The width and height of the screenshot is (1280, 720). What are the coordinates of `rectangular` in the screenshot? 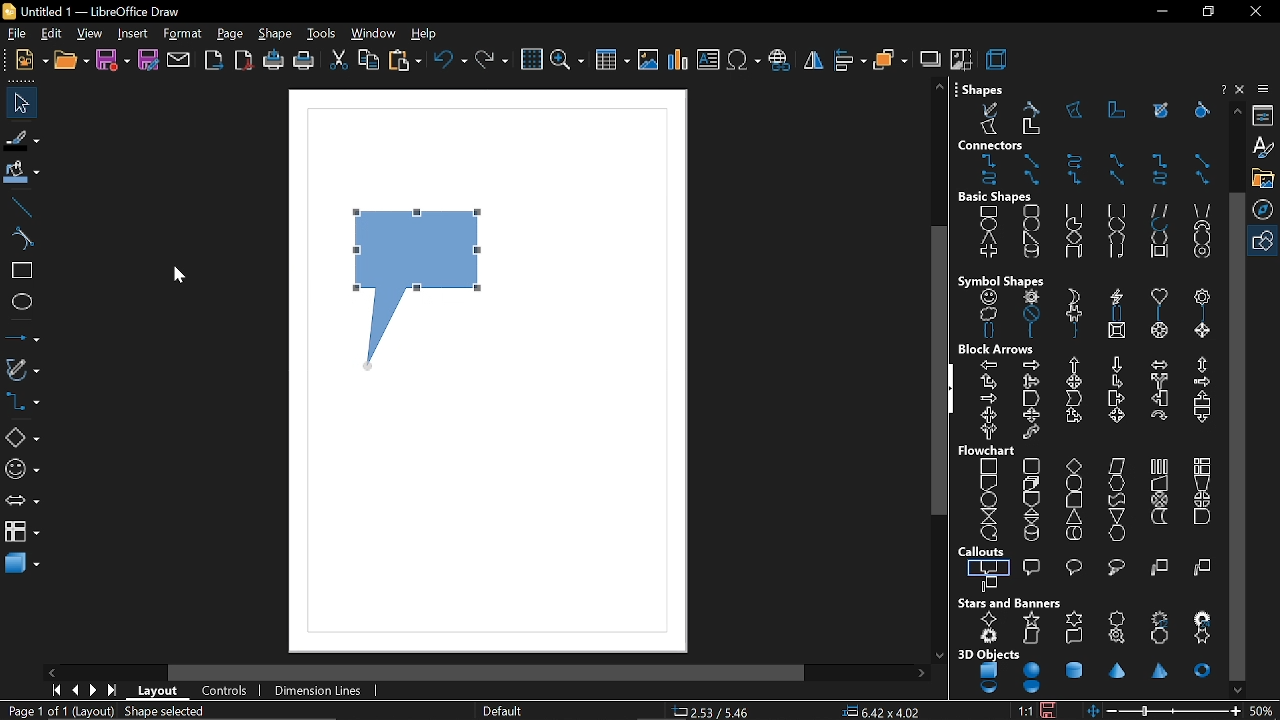 It's located at (990, 566).